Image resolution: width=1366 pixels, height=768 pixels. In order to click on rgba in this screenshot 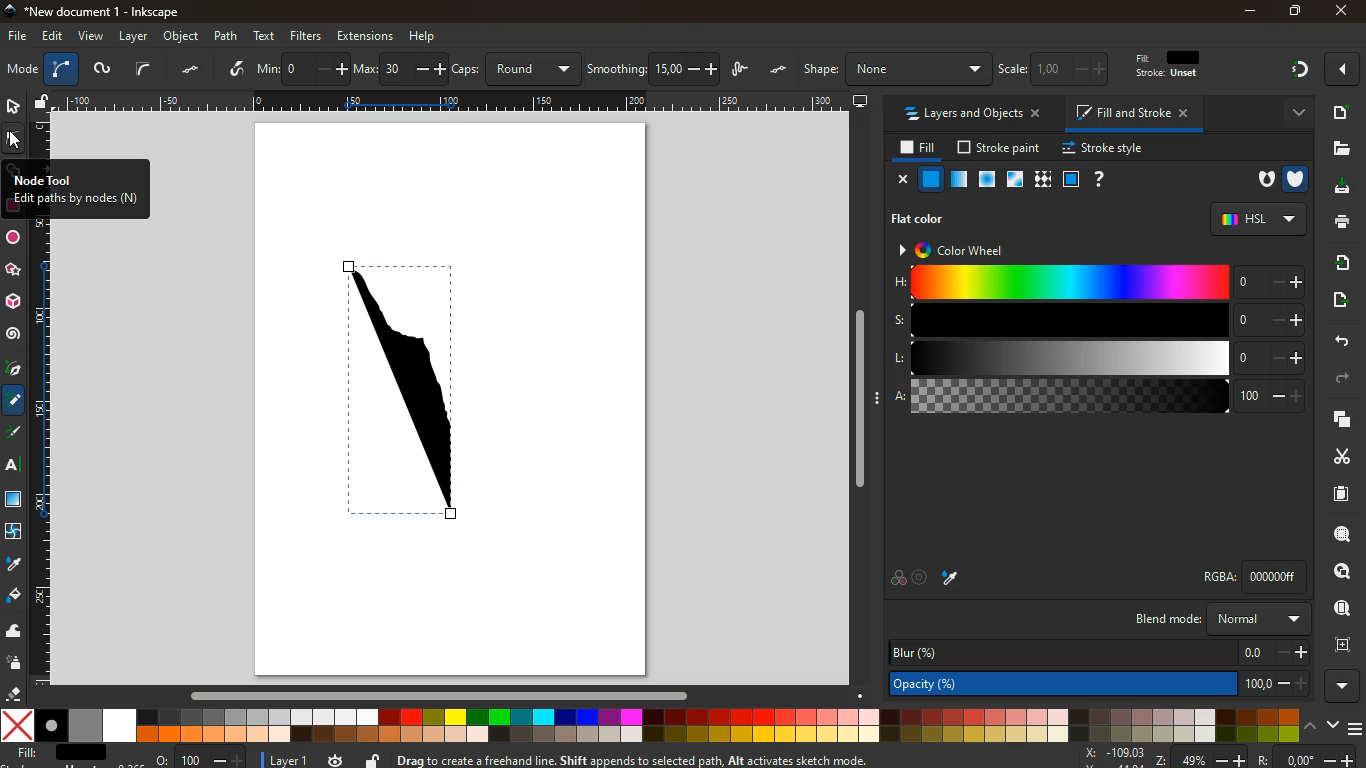, I will do `click(1258, 576)`.